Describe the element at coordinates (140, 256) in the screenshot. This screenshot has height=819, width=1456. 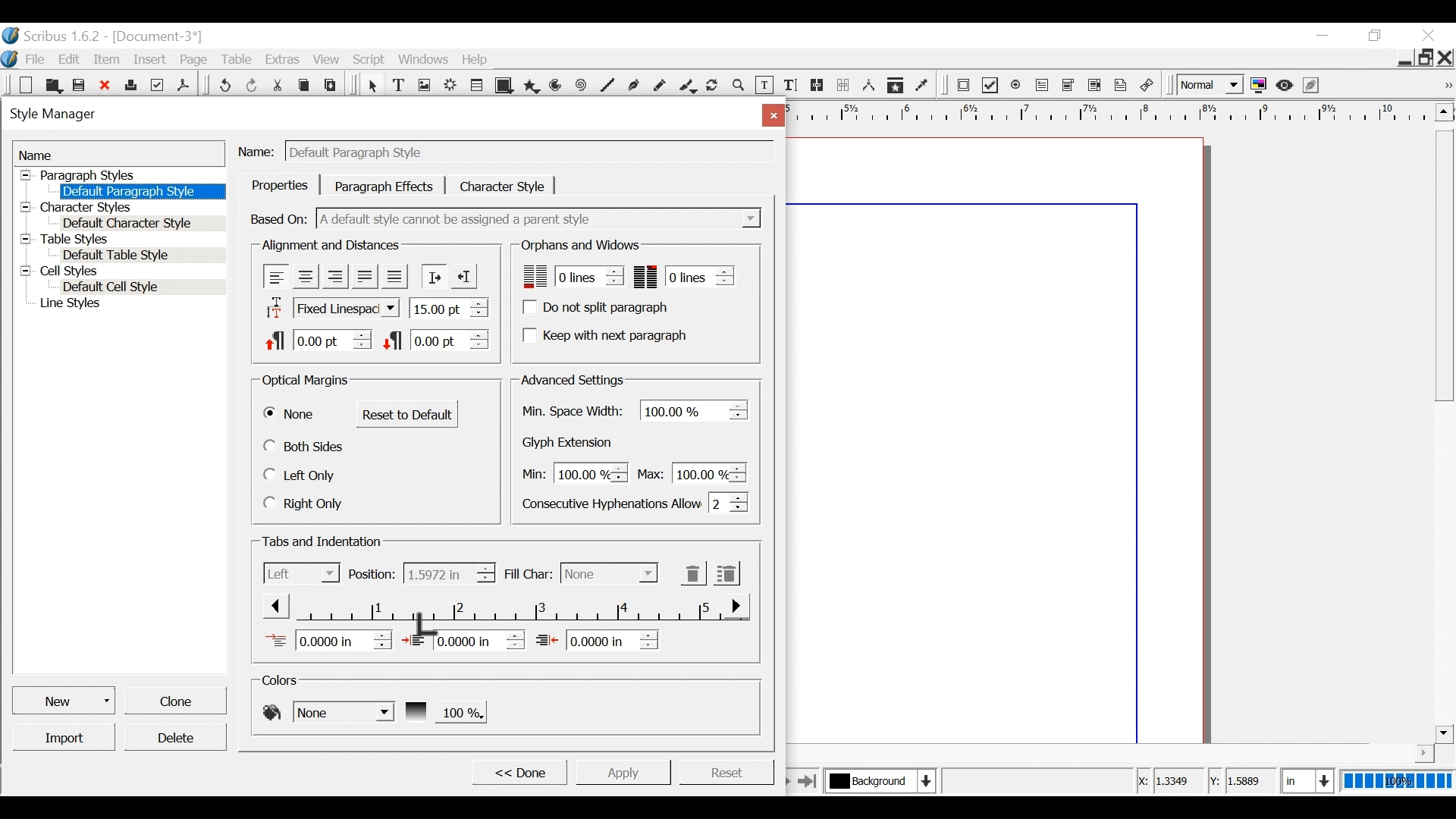
I see `Default Table Styles` at that location.